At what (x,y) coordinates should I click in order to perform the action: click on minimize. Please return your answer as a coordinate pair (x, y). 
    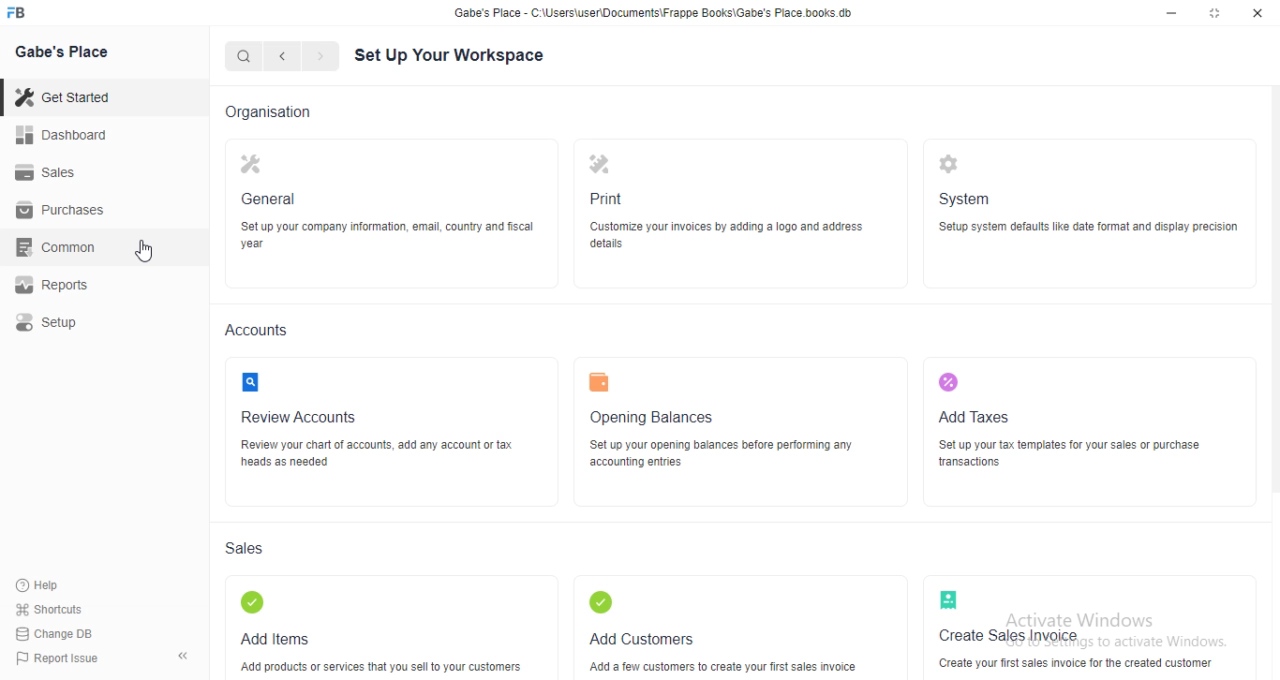
    Looking at the image, I should click on (1171, 14).